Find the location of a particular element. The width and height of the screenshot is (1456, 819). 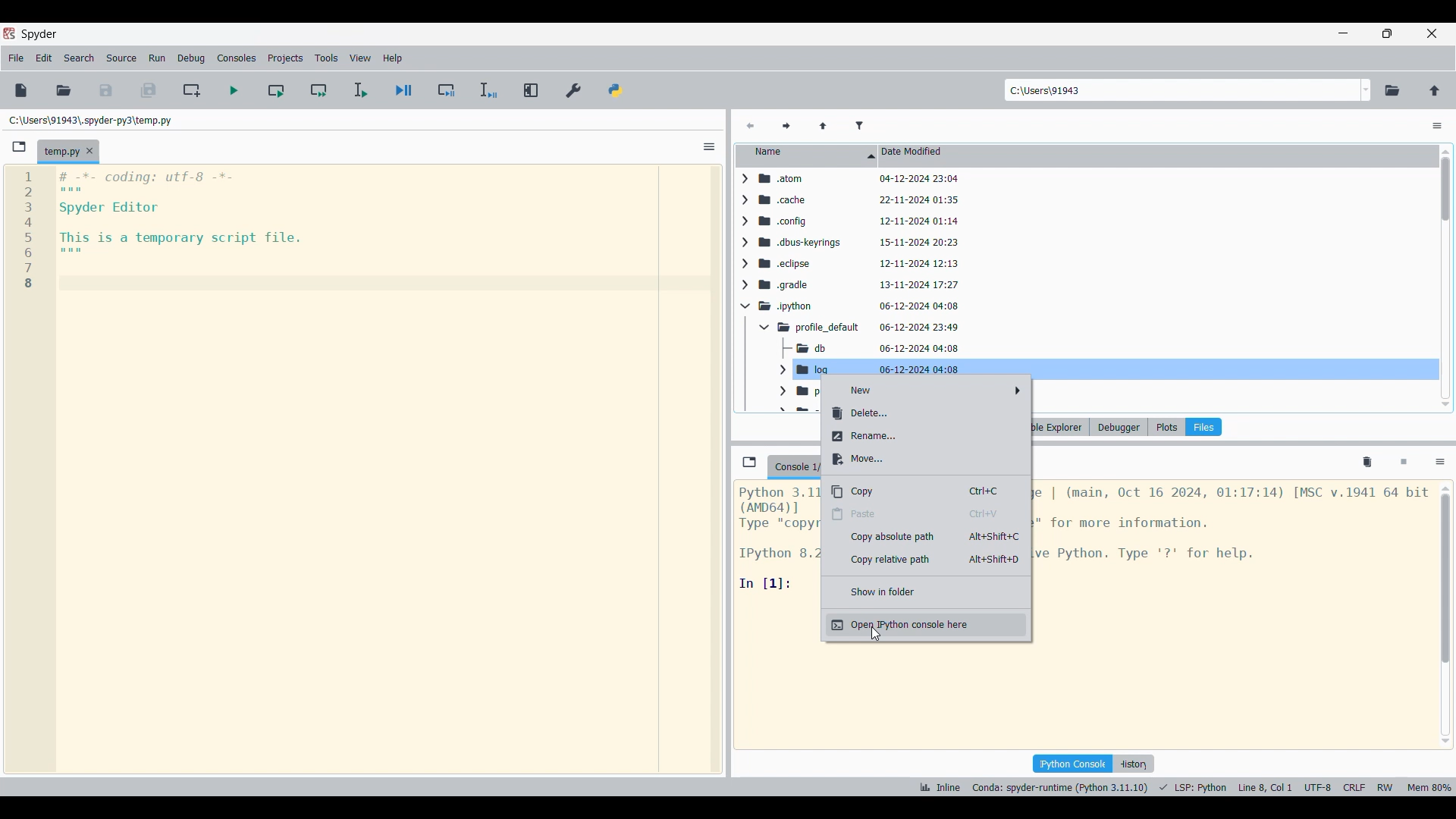

File location is located at coordinates (91, 121).